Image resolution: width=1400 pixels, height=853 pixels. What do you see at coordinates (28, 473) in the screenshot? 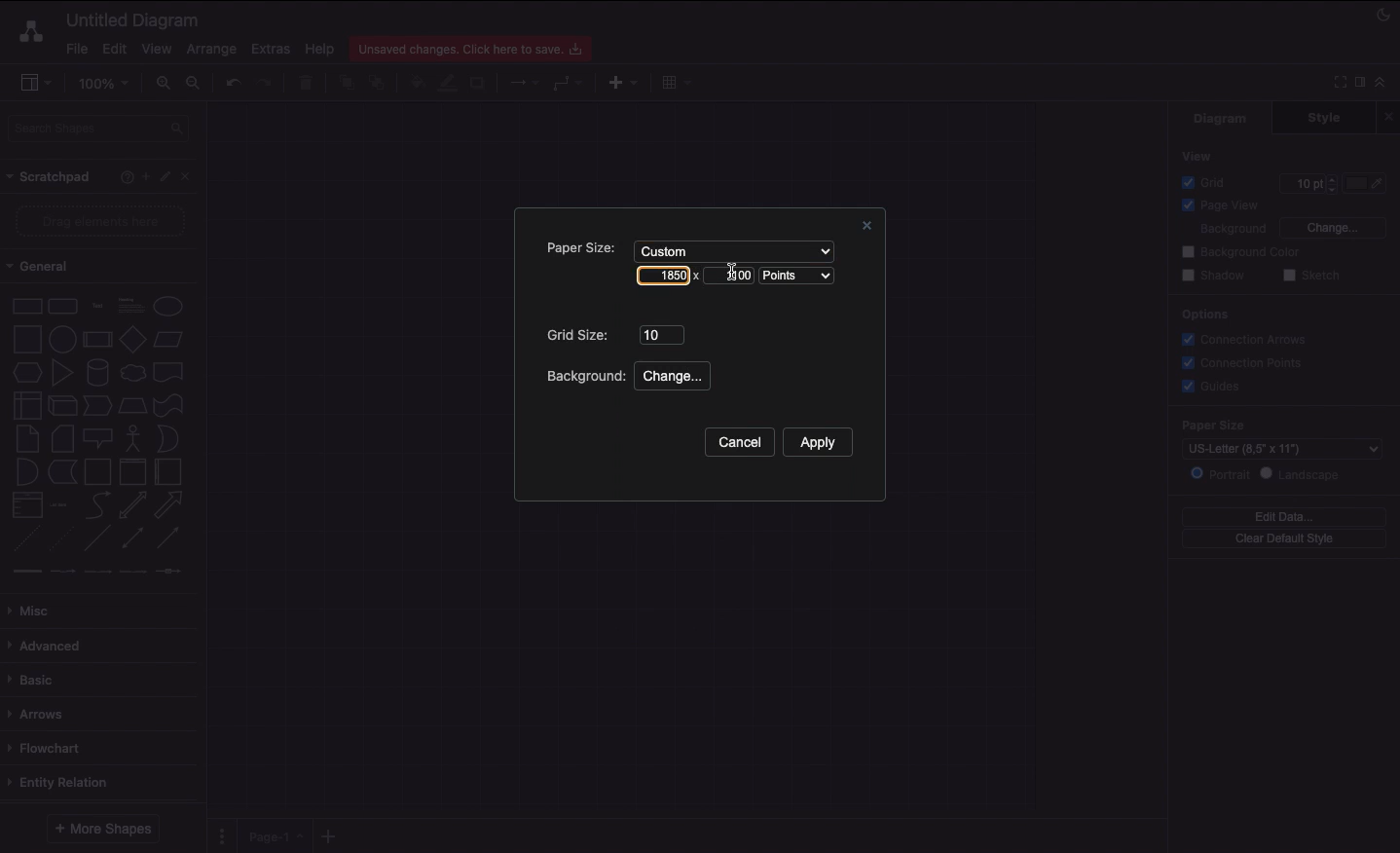
I see `And` at bounding box center [28, 473].